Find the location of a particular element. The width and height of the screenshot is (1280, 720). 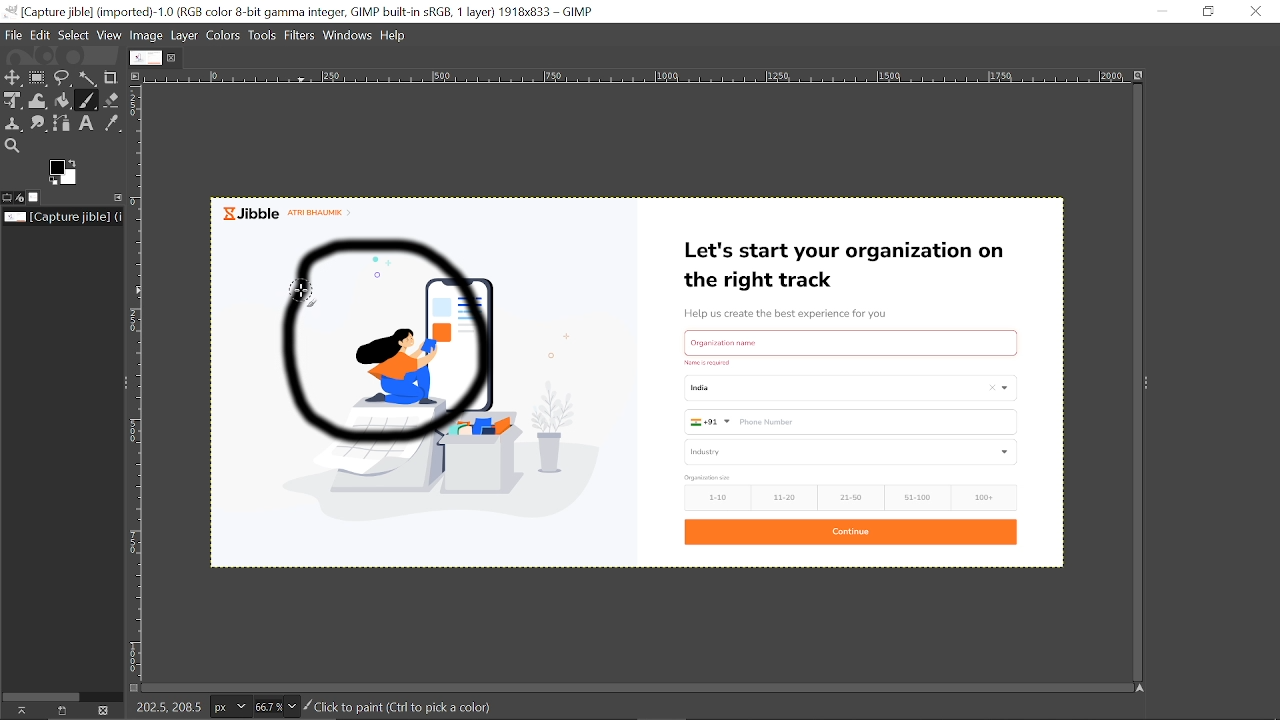

Scale is located at coordinates (639, 78).